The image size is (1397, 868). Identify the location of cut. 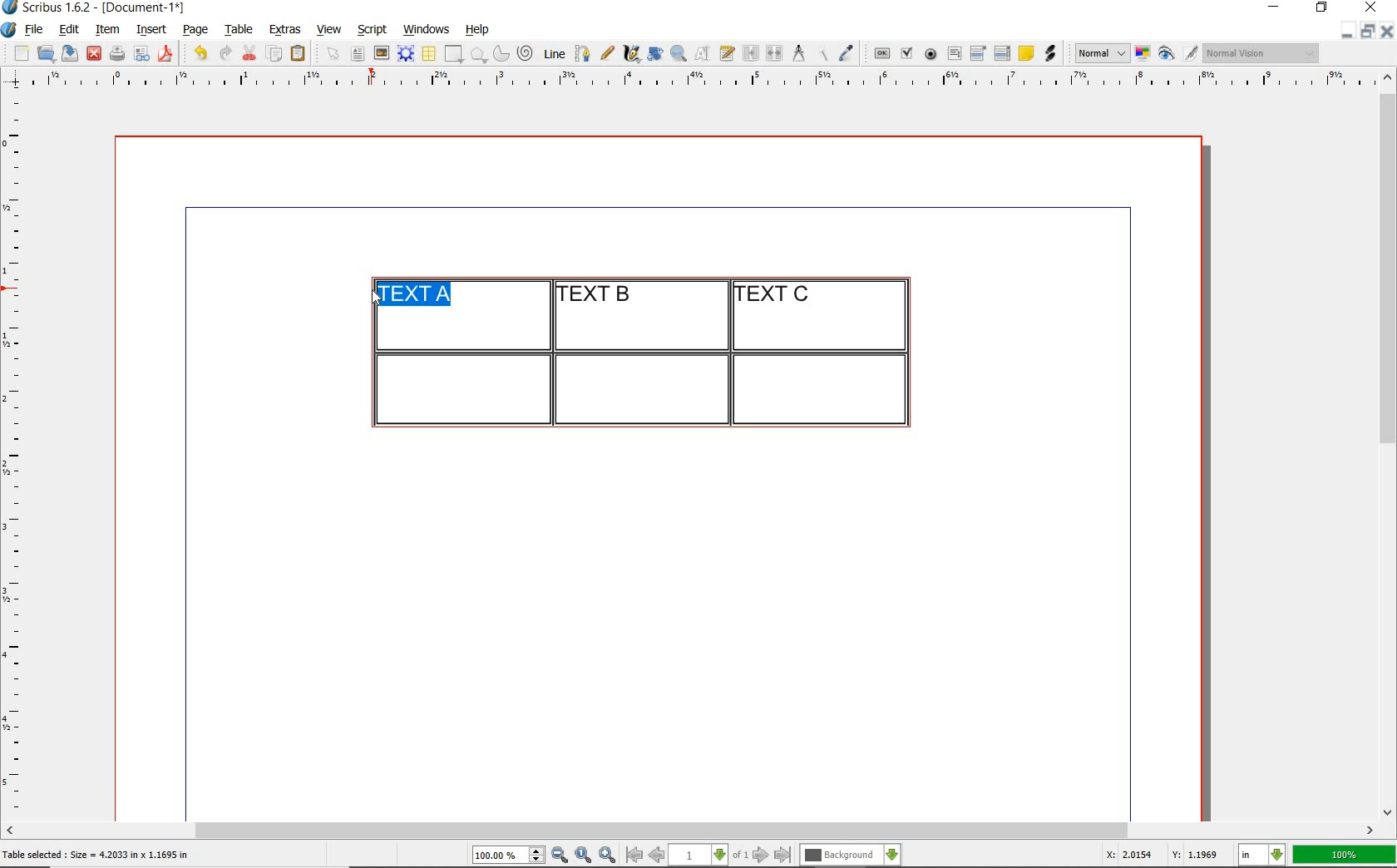
(249, 52).